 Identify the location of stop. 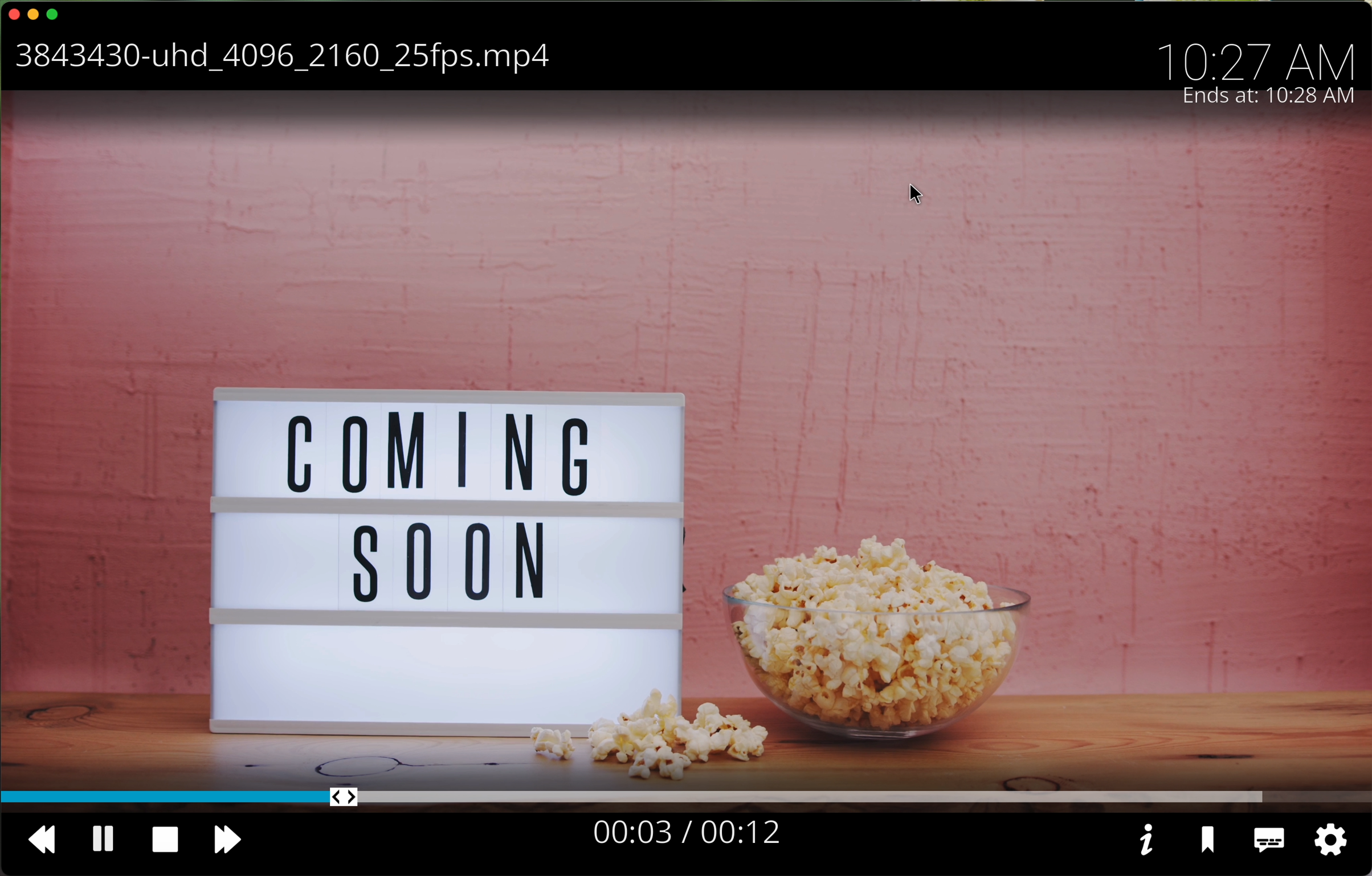
(169, 838).